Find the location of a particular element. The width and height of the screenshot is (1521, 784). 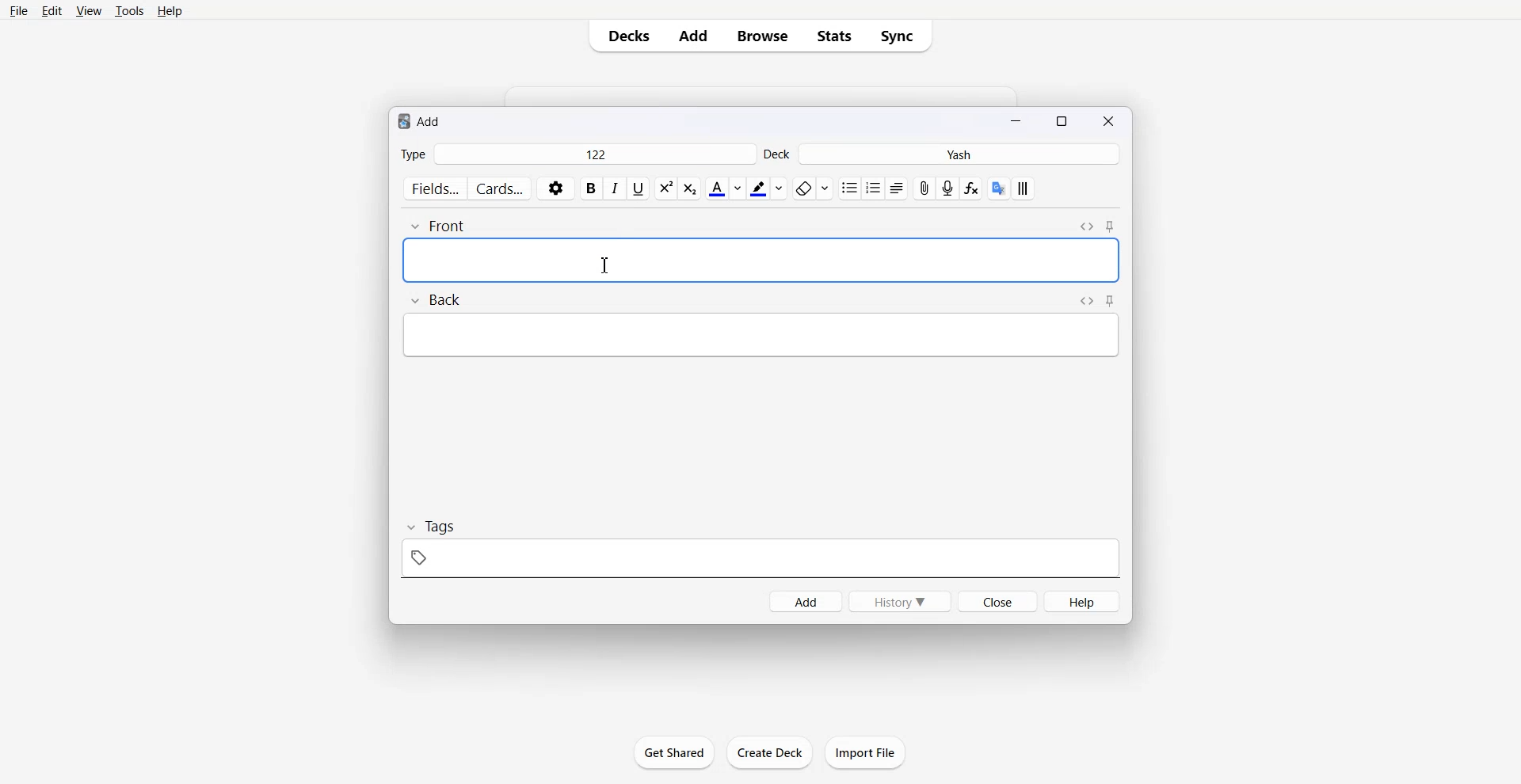

Stats is located at coordinates (833, 36).